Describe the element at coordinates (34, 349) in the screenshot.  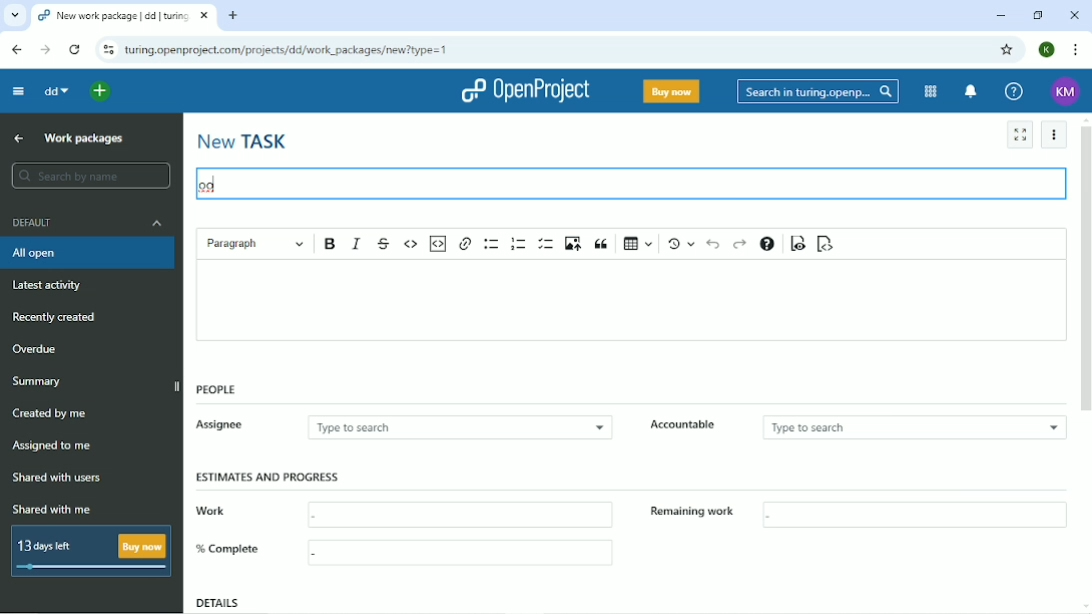
I see `Overdue` at that location.